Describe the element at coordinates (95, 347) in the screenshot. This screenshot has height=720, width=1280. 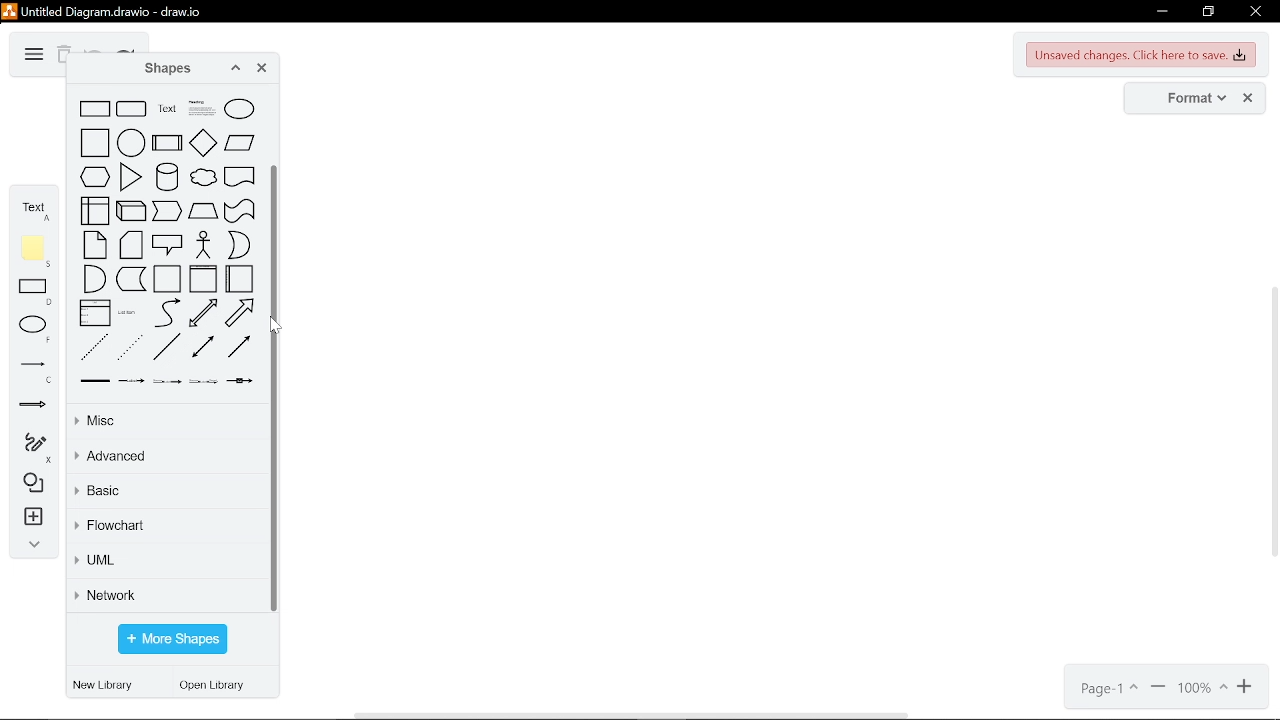
I see `dashed line` at that location.